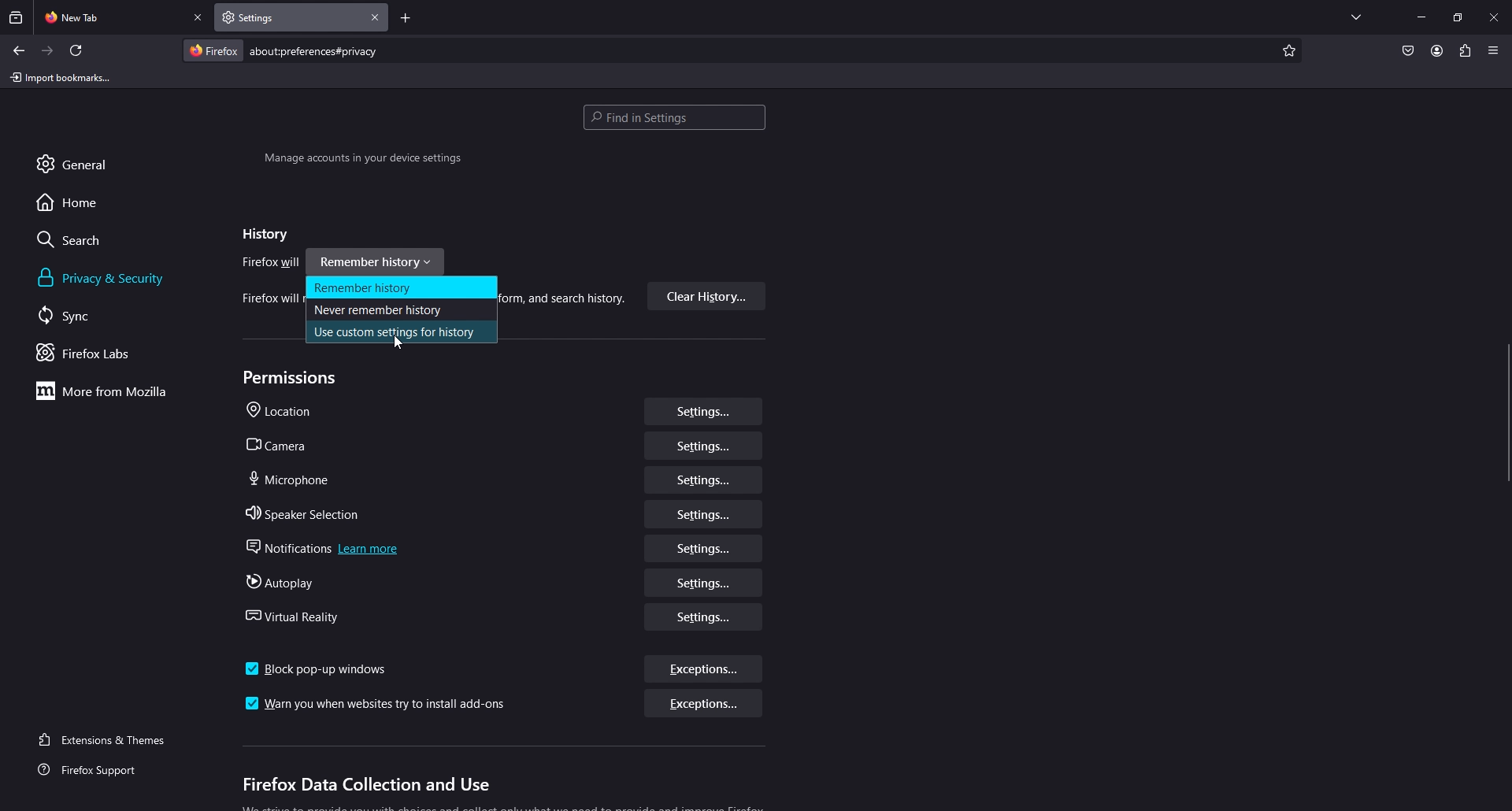 The width and height of the screenshot is (1512, 811). Describe the element at coordinates (83, 239) in the screenshot. I see `search` at that location.